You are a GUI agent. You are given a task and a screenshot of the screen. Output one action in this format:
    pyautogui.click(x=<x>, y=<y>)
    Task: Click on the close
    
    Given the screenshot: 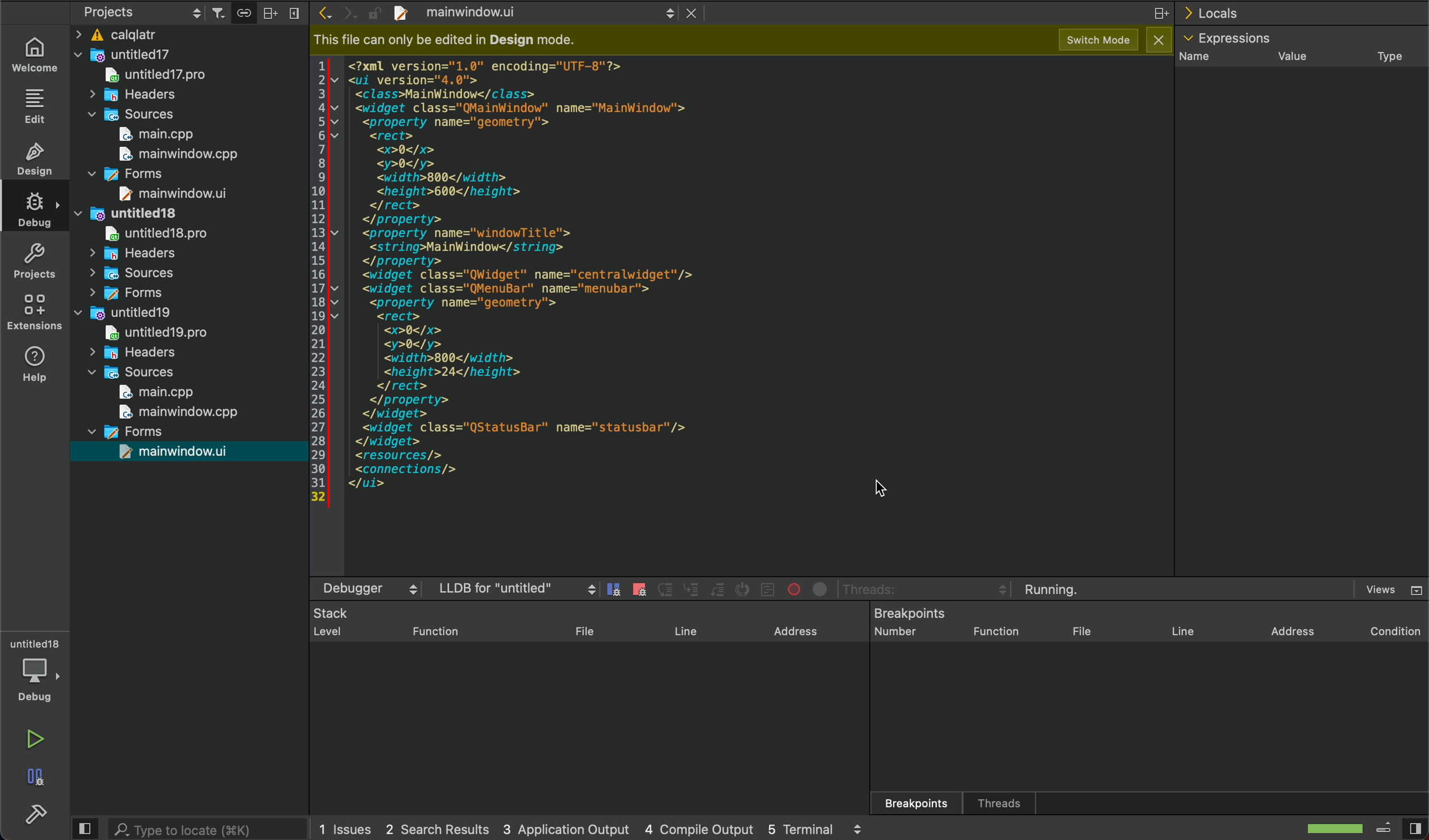 What is the action you would take?
    pyautogui.click(x=1154, y=41)
    